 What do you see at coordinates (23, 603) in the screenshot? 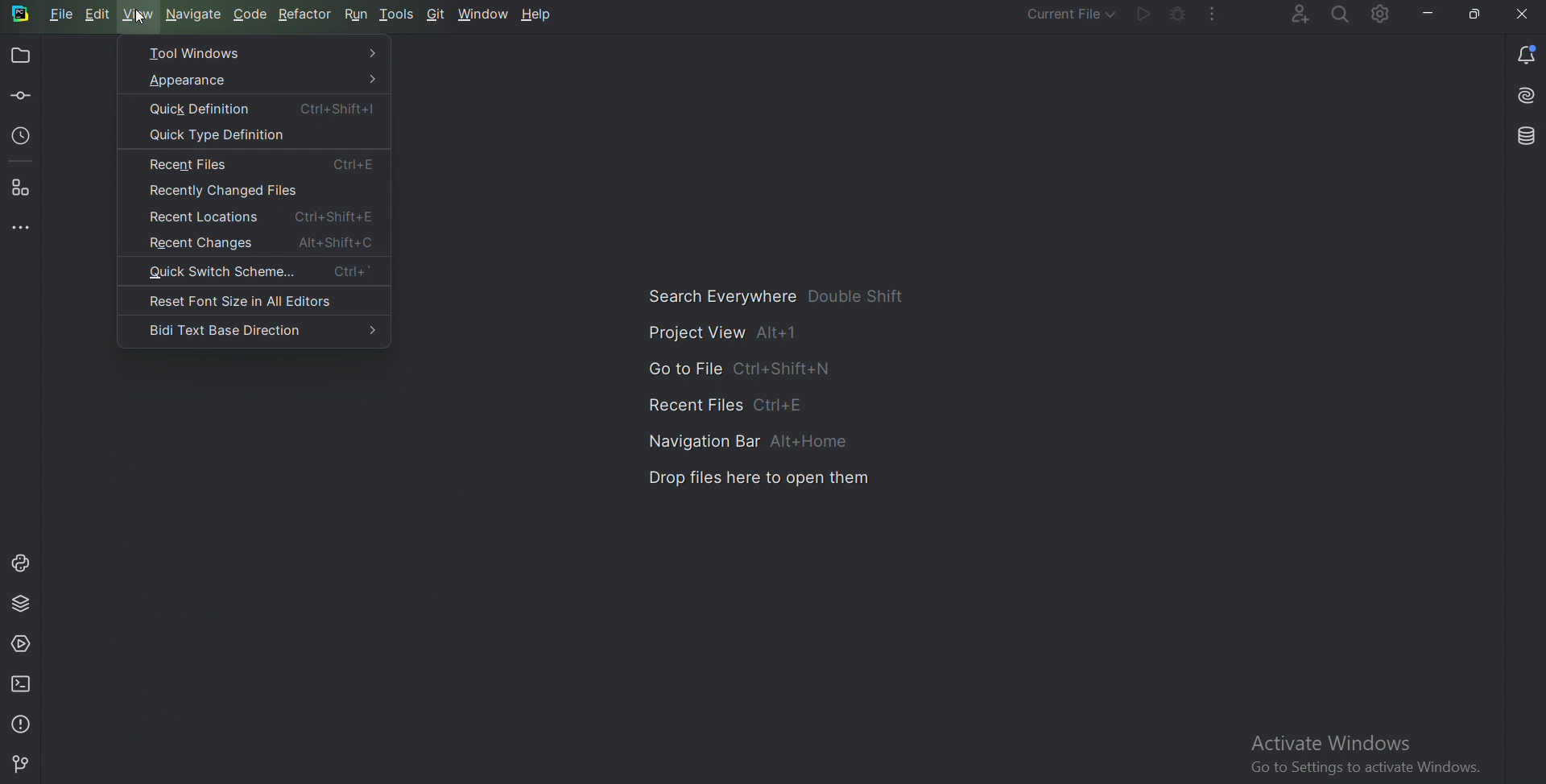
I see `Python package` at bounding box center [23, 603].